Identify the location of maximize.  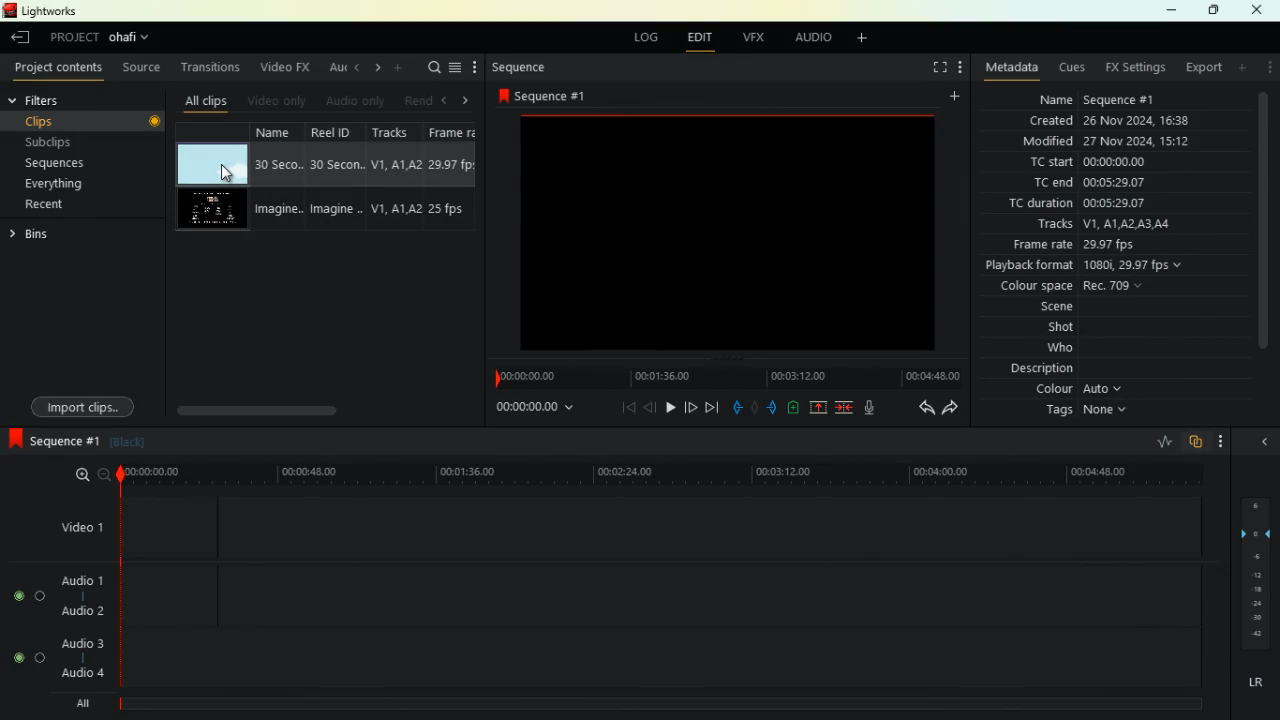
(1216, 11).